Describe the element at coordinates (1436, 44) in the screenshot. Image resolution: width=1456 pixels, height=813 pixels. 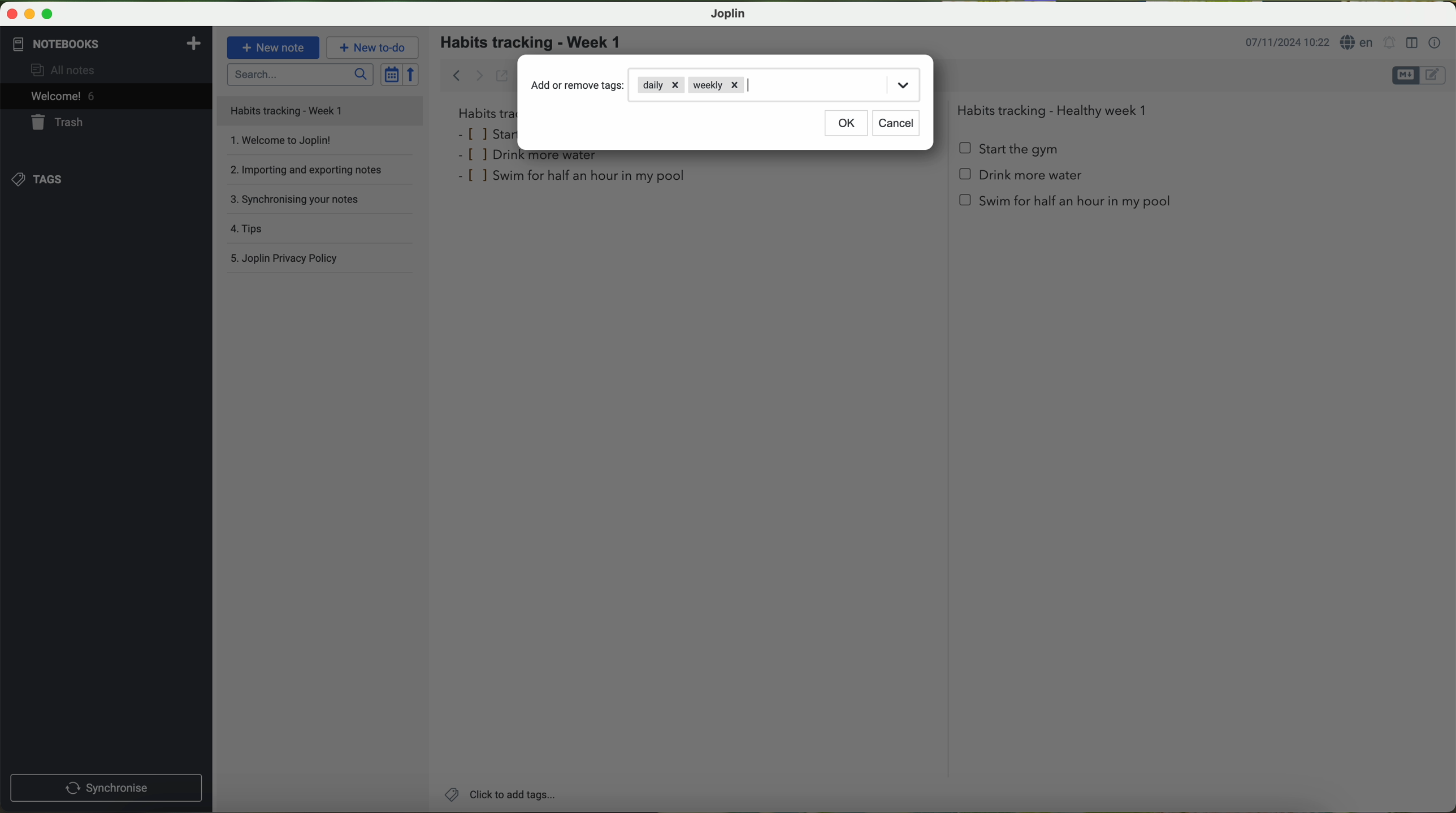
I see `note properties` at that location.